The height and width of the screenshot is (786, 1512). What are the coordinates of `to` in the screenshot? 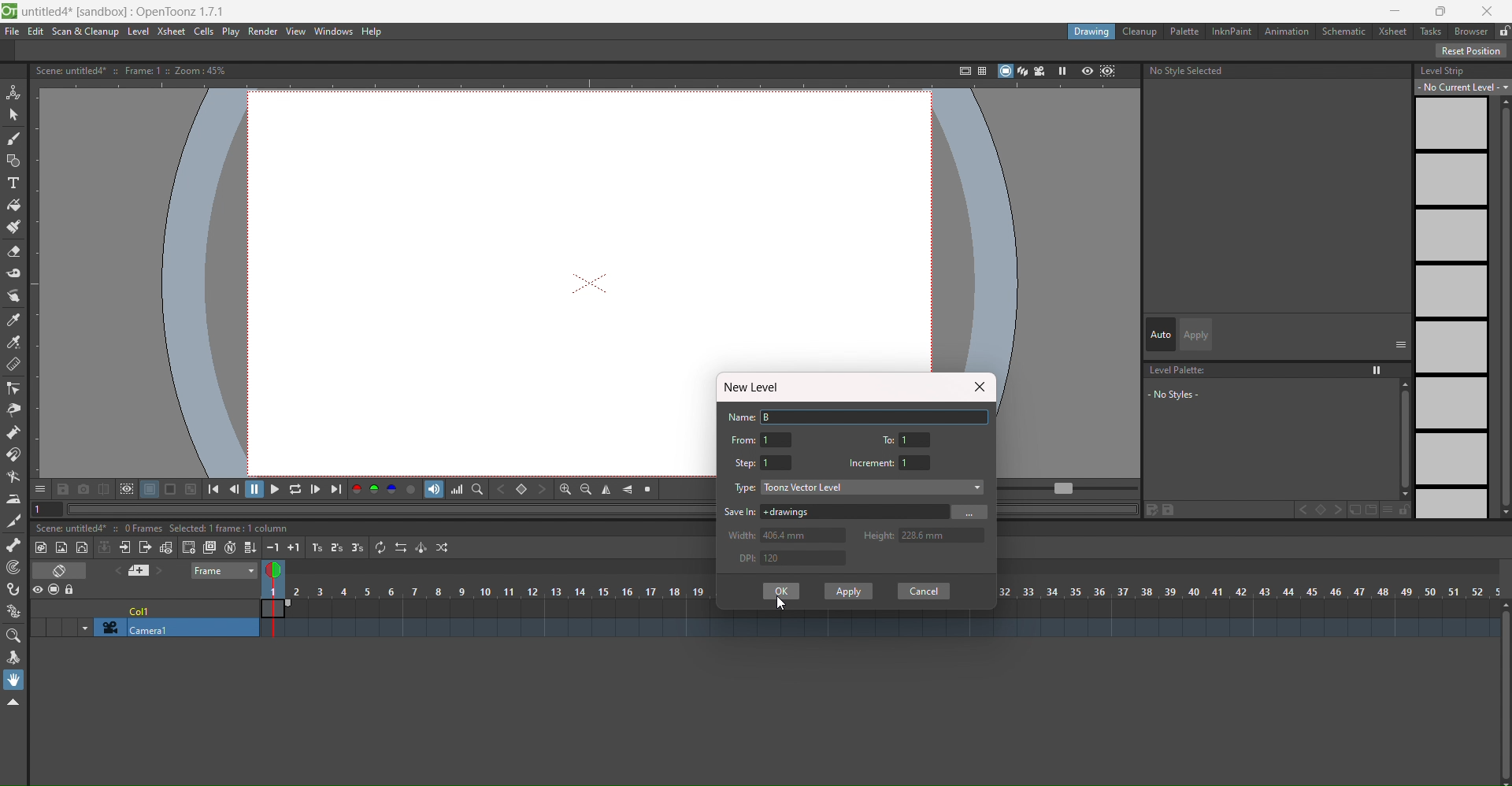 It's located at (891, 438).